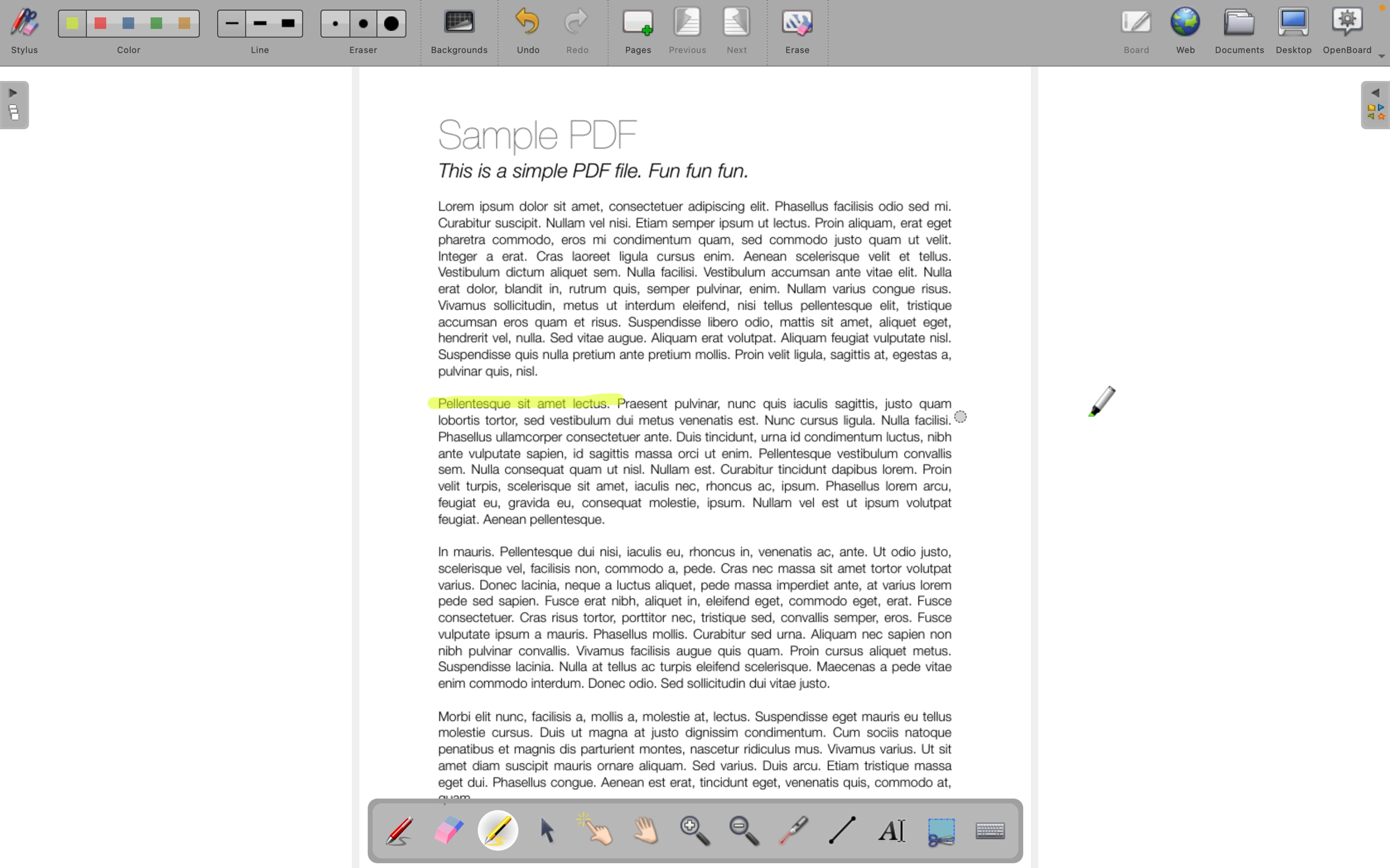  What do you see at coordinates (1137, 29) in the screenshot?
I see `board` at bounding box center [1137, 29].